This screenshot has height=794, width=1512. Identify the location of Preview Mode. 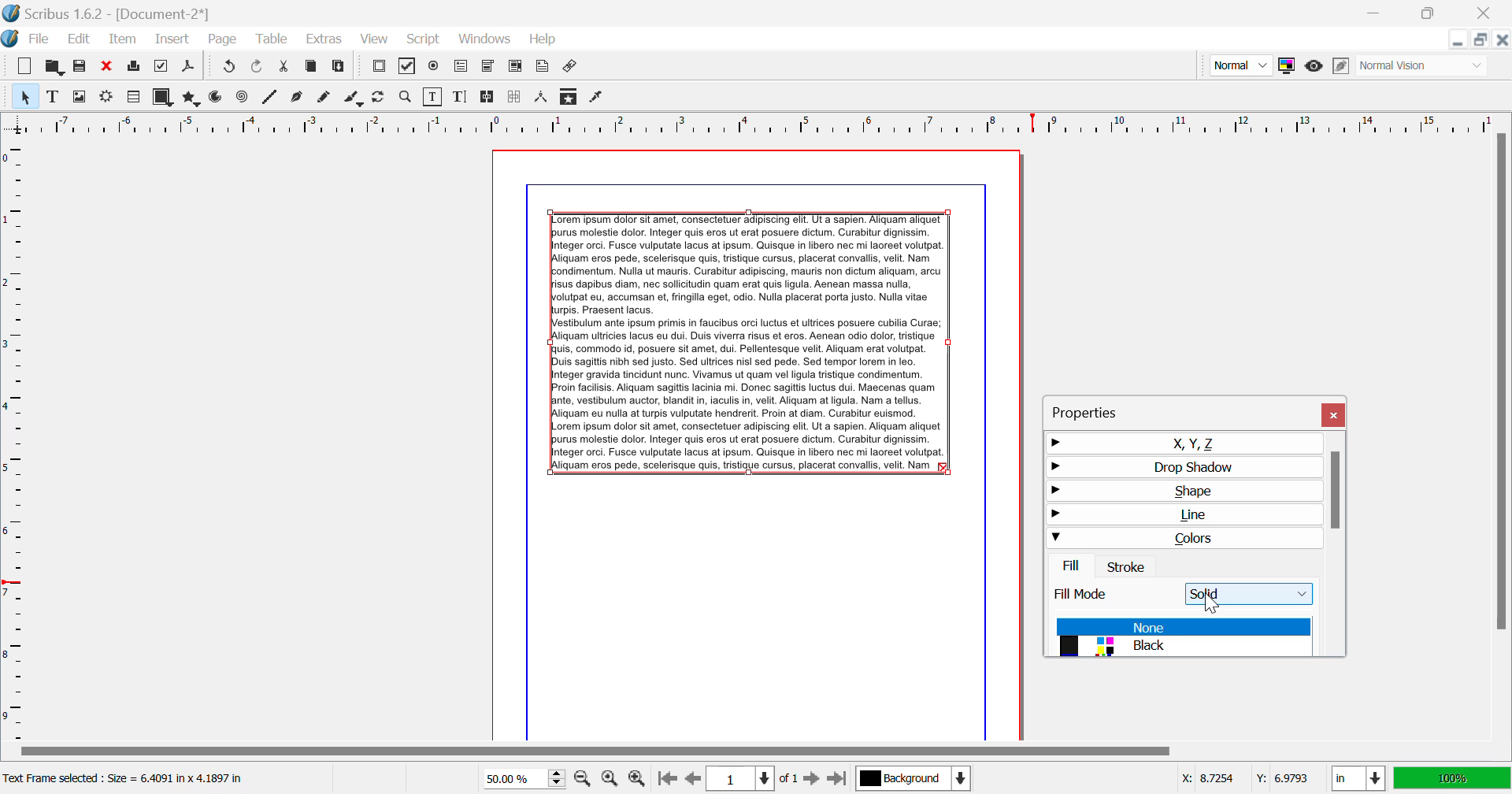
(1314, 68).